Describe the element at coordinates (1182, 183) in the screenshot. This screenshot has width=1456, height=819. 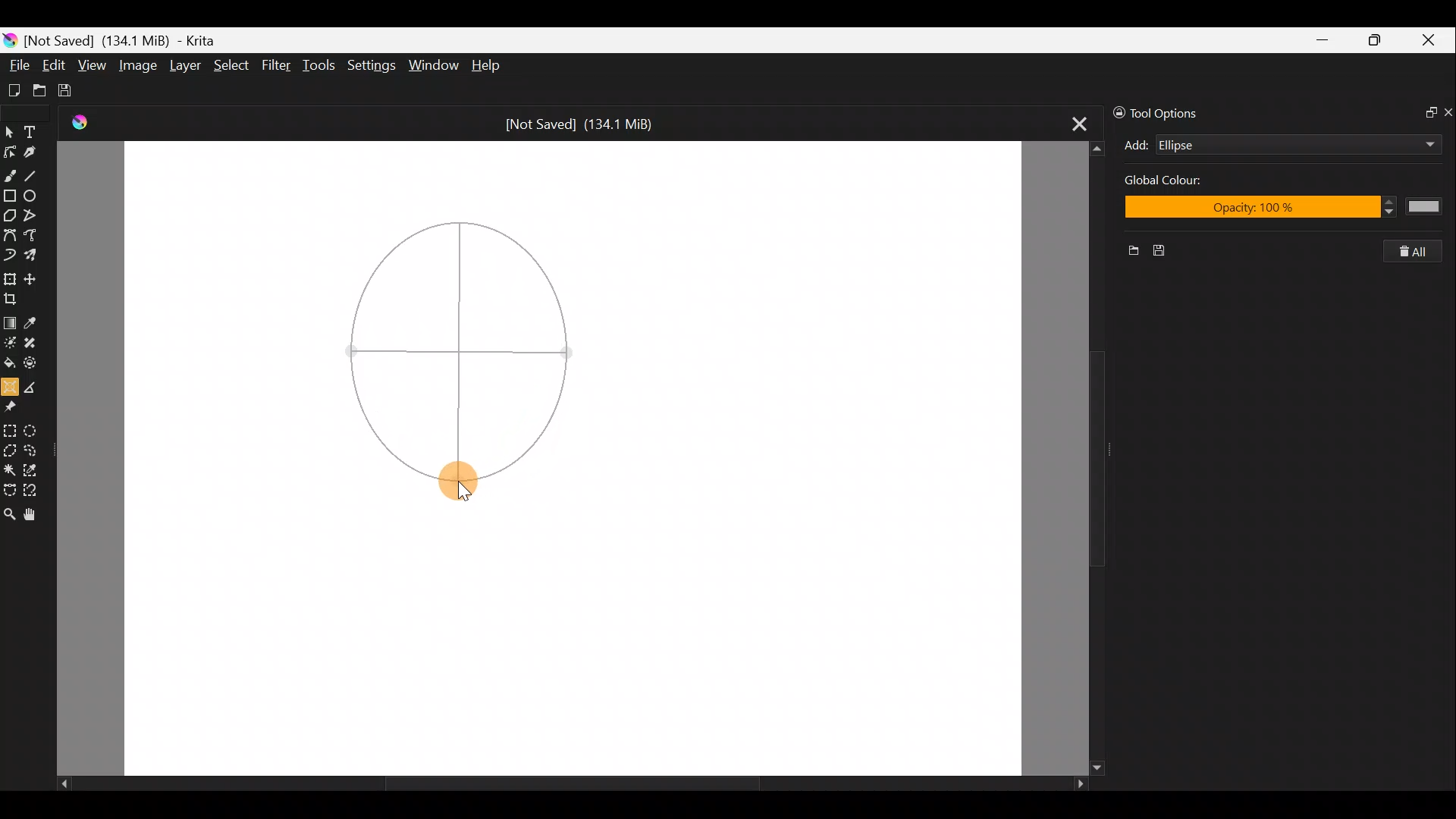
I see `Global color` at that location.